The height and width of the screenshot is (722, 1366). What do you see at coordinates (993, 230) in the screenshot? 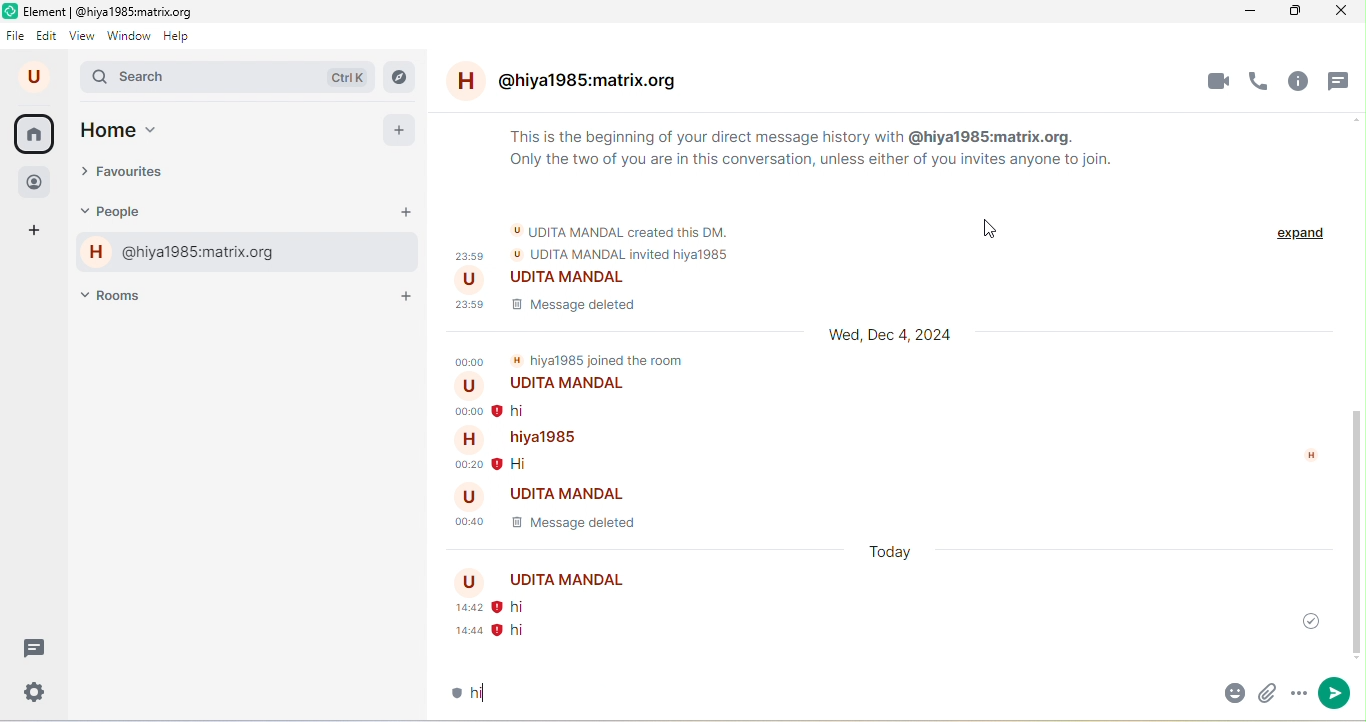
I see `cursor` at bounding box center [993, 230].